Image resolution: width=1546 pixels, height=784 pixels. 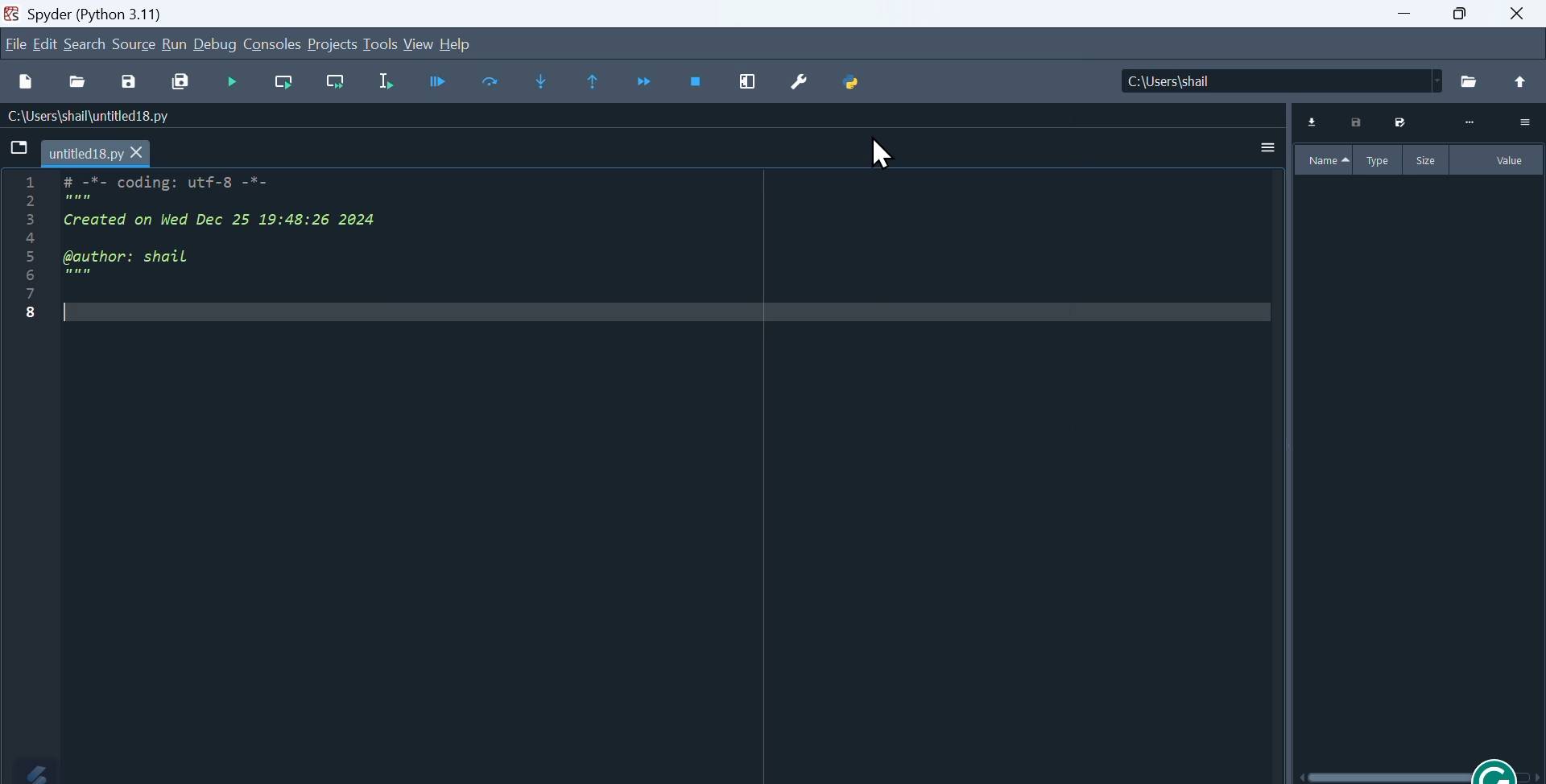 What do you see at coordinates (1262, 147) in the screenshot?
I see `More options` at bounding box center [1262, 147].